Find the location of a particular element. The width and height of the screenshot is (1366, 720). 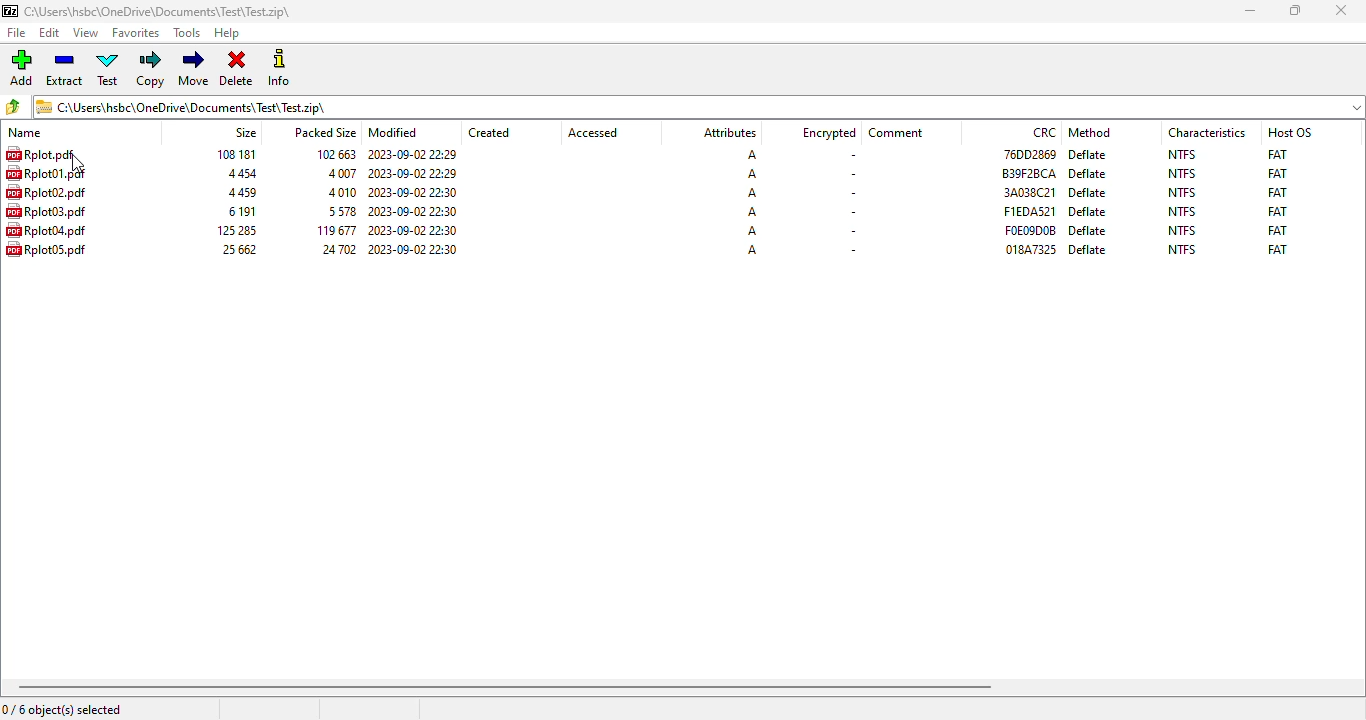

info is located at coordinates (279, 67).